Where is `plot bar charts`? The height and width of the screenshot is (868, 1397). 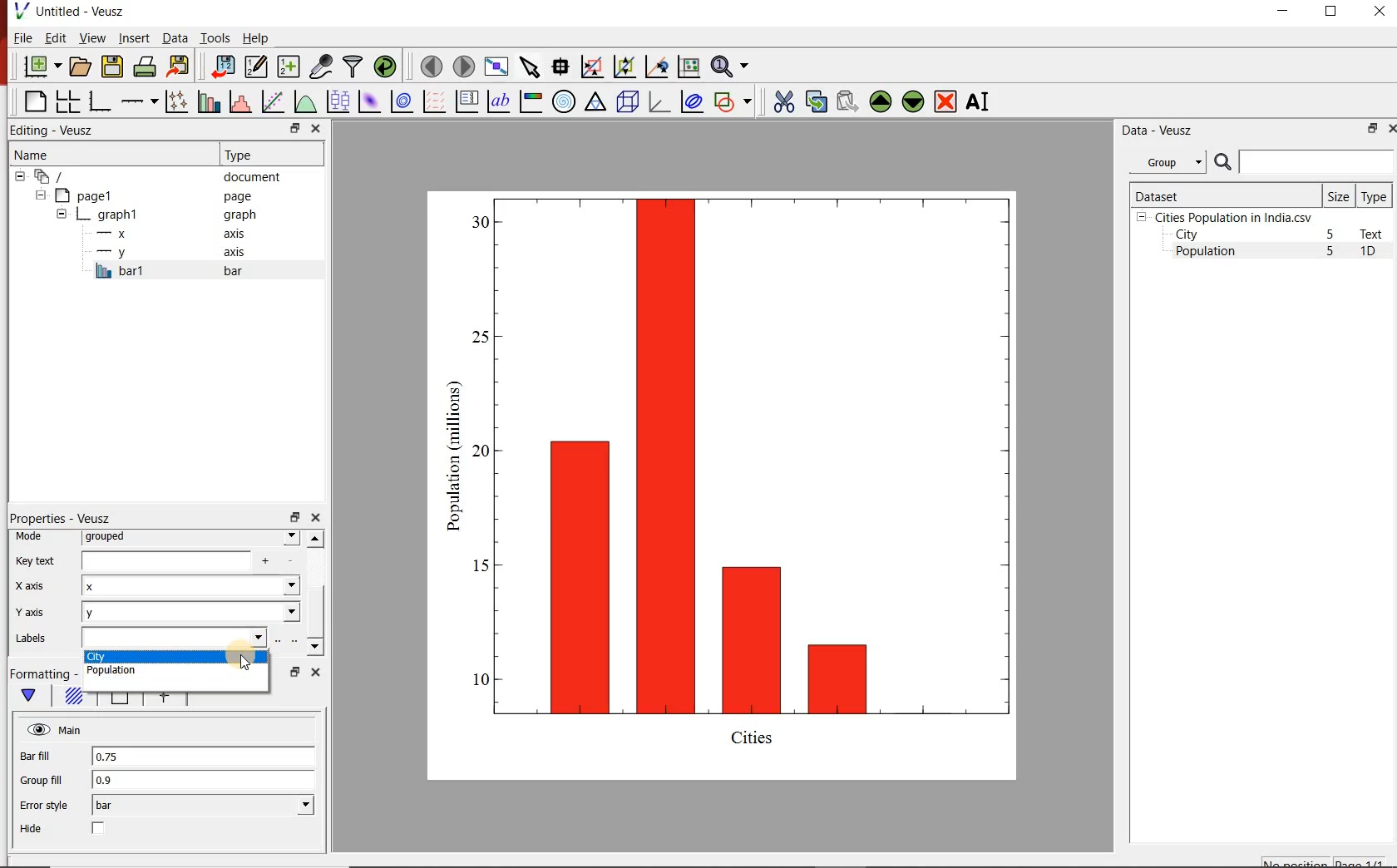
plot bar charts is located at coordinates (206, 101).